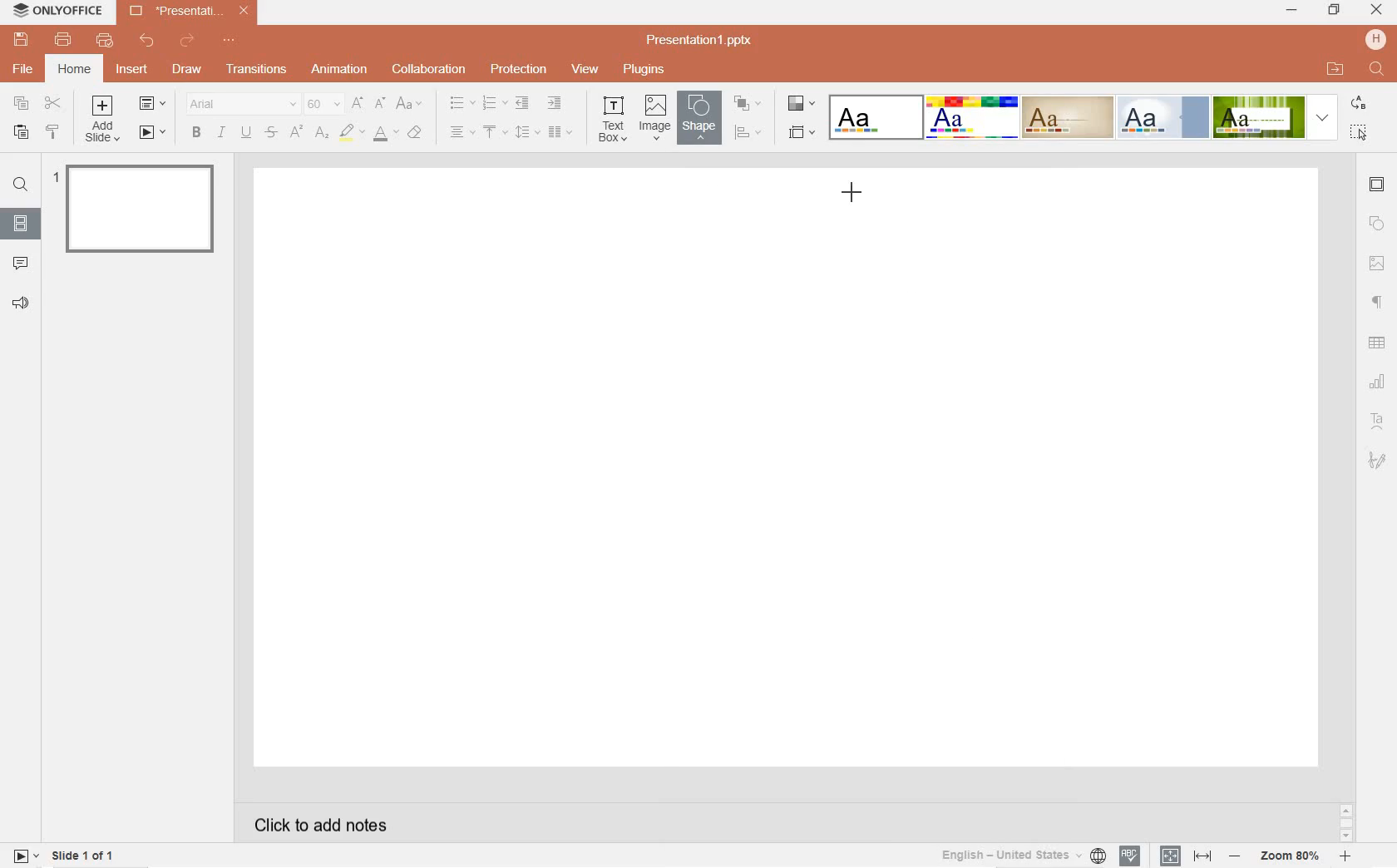 The width and height of the screenshot is (1397, 868). What do you see at coordinates (135, 74) in the screenshot?
I see `insert` at bounding box center [135, 74].